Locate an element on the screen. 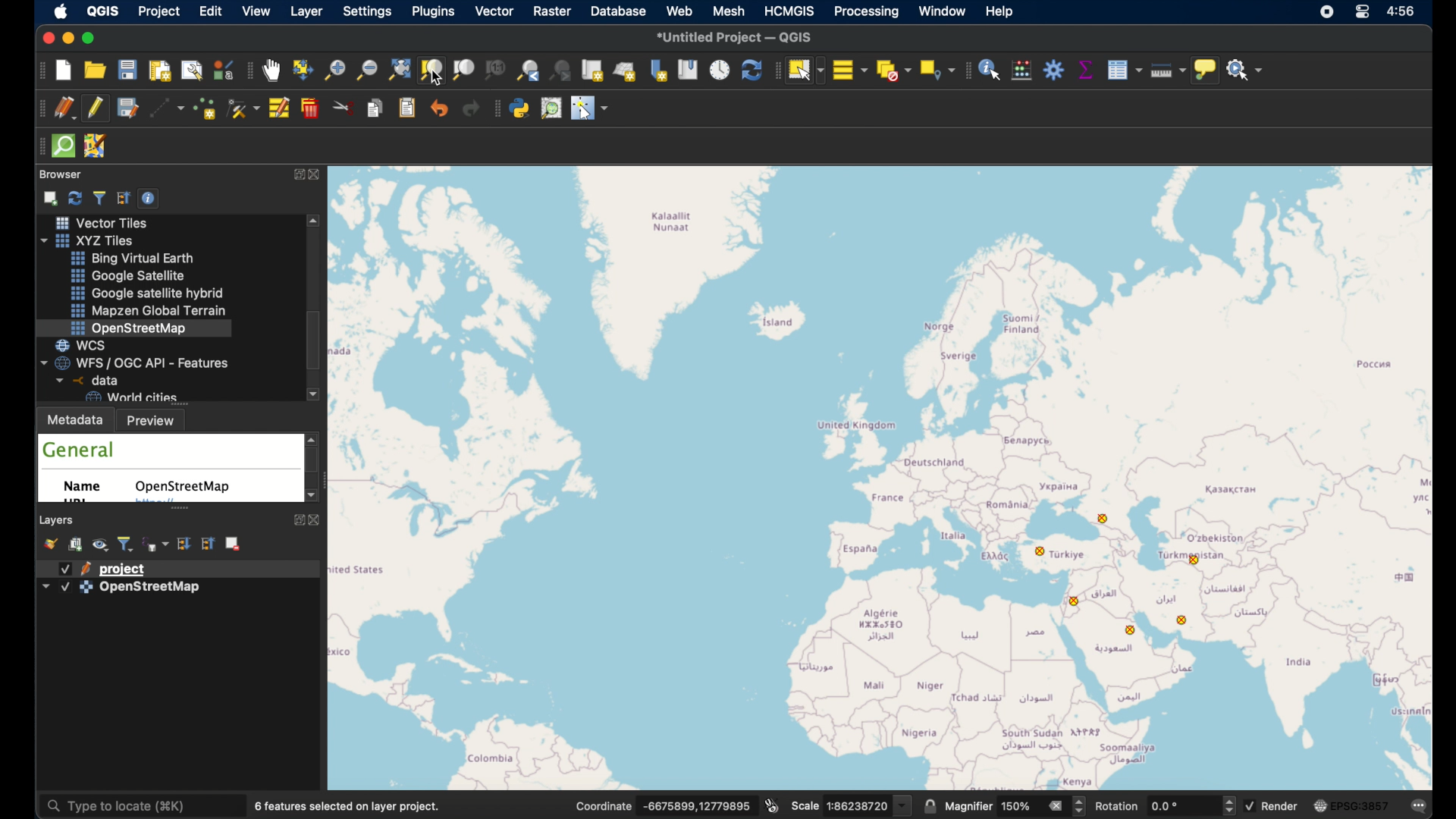  openstreetmap layer is located at coordinates (151, 590).